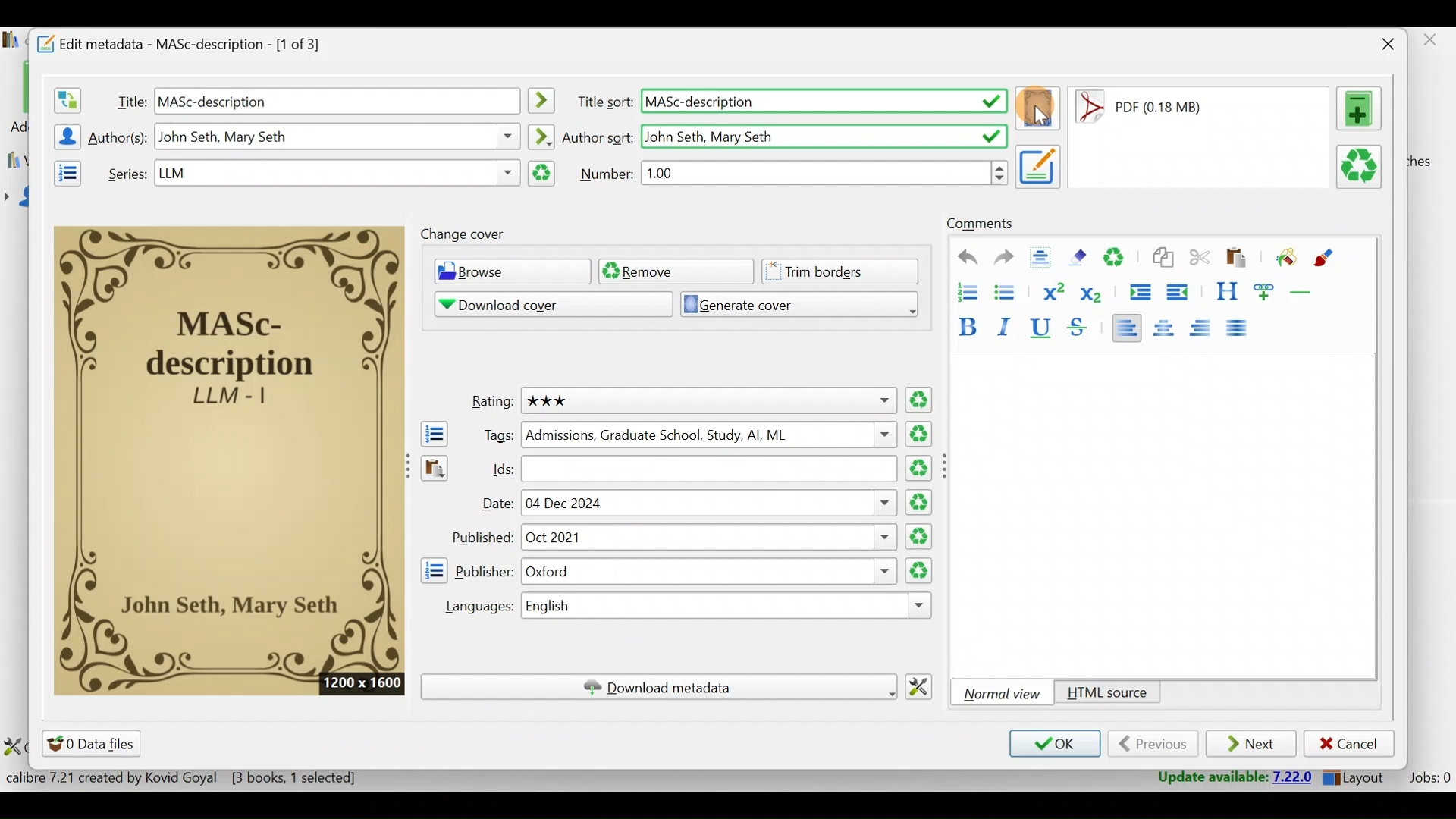  What do you see at coordinates (1040, 118) in the screenshot?
I see `cursor` at bounding box center [1040, 118].